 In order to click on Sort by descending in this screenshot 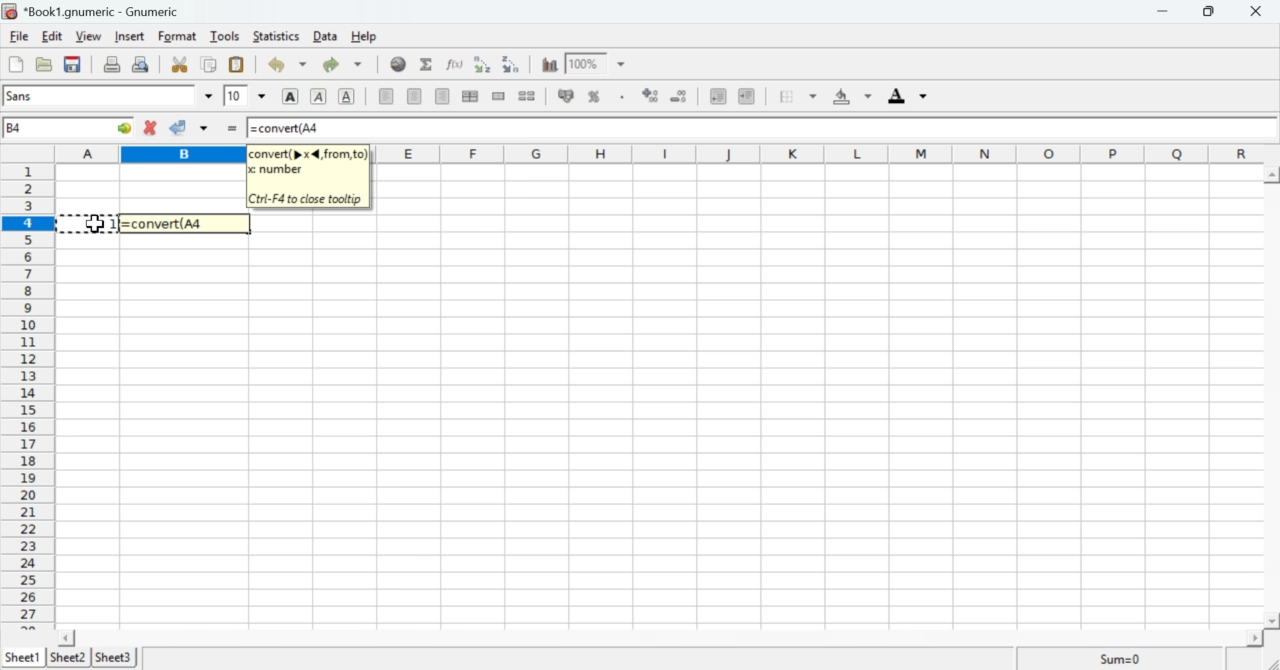, I will do `click(678, 96)`.